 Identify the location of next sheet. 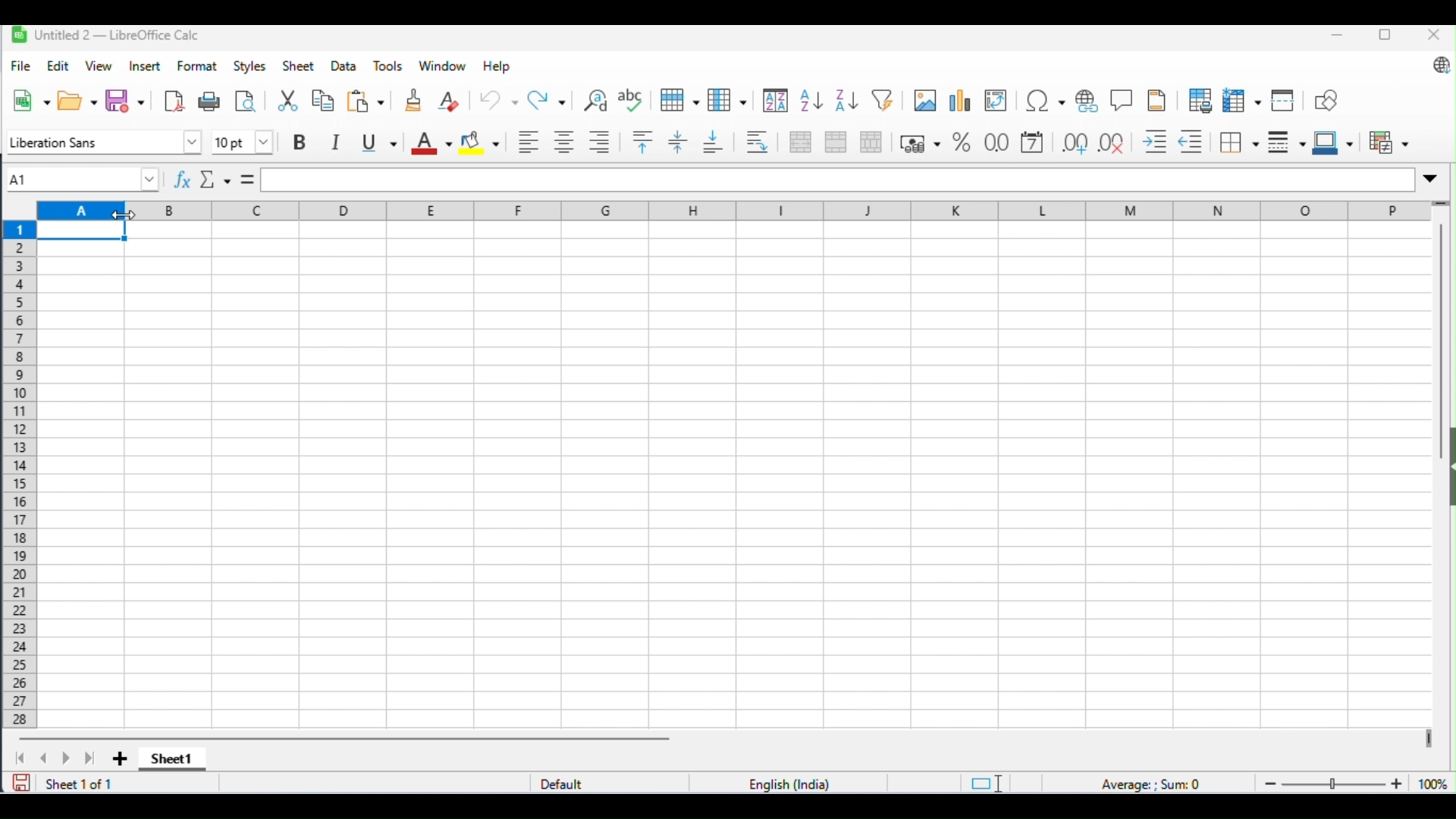
(65, 758).